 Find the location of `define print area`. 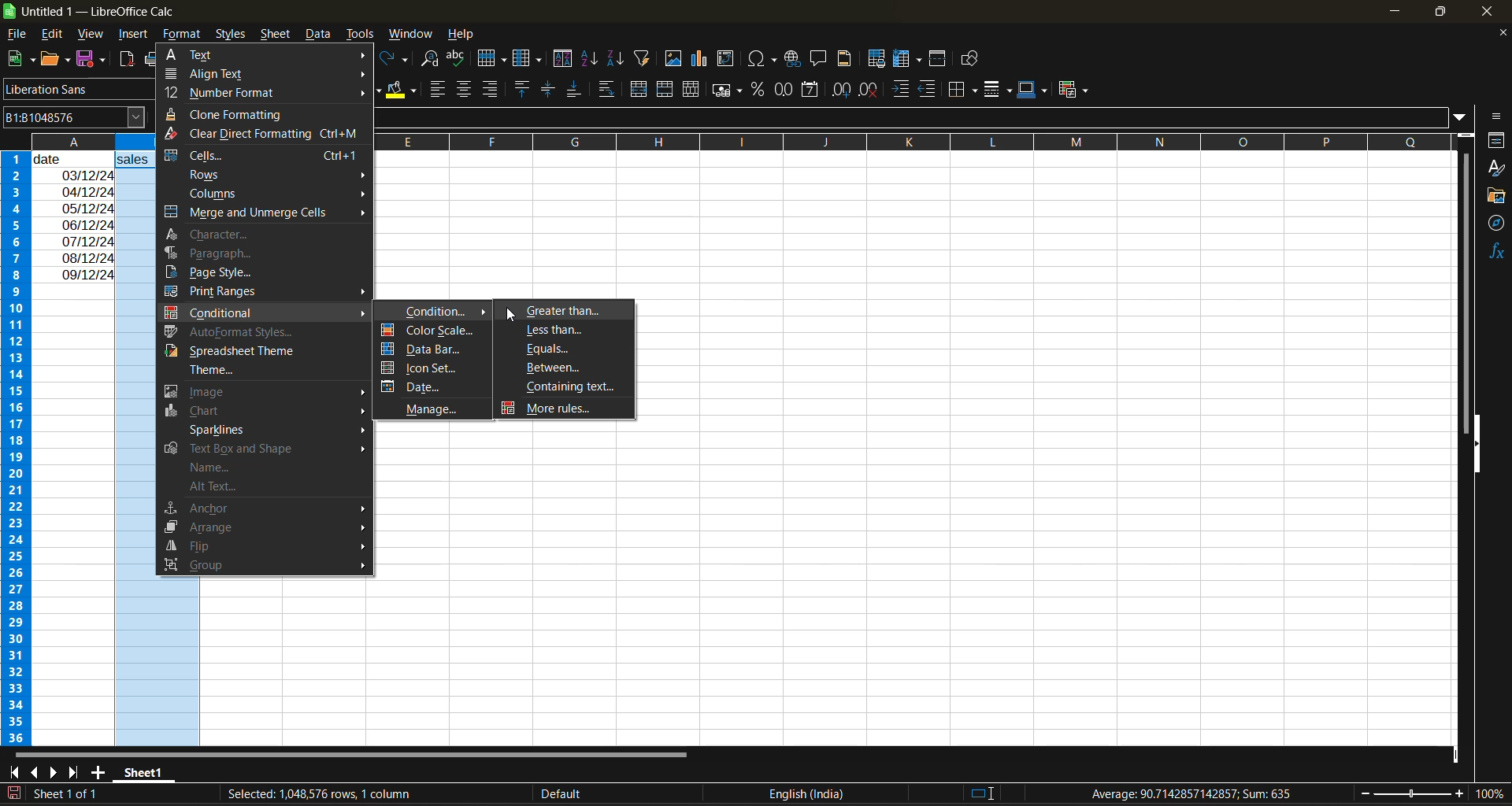

define print area is located at coordinates (880, 60).